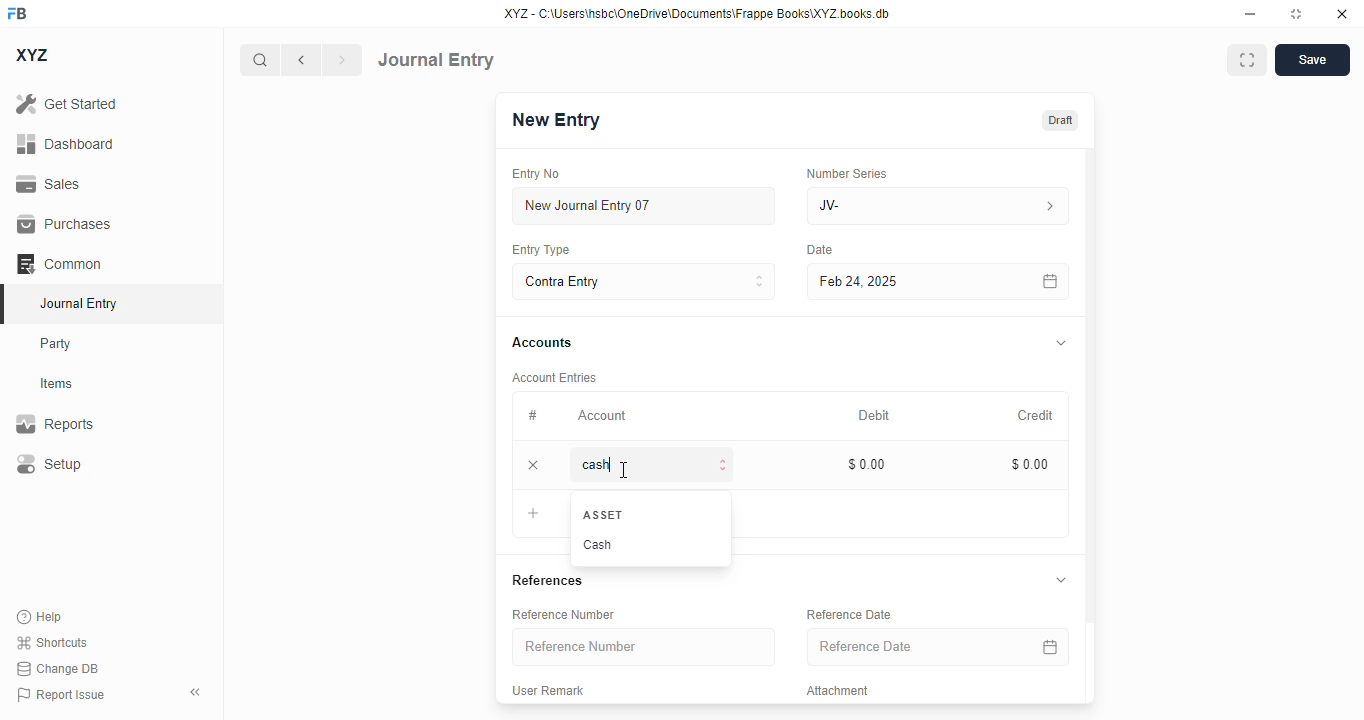 This screenshot has height=720, width=1364. Describe the element at coordinates (1037, 415) in the screenshot. I see `credit` at that location.